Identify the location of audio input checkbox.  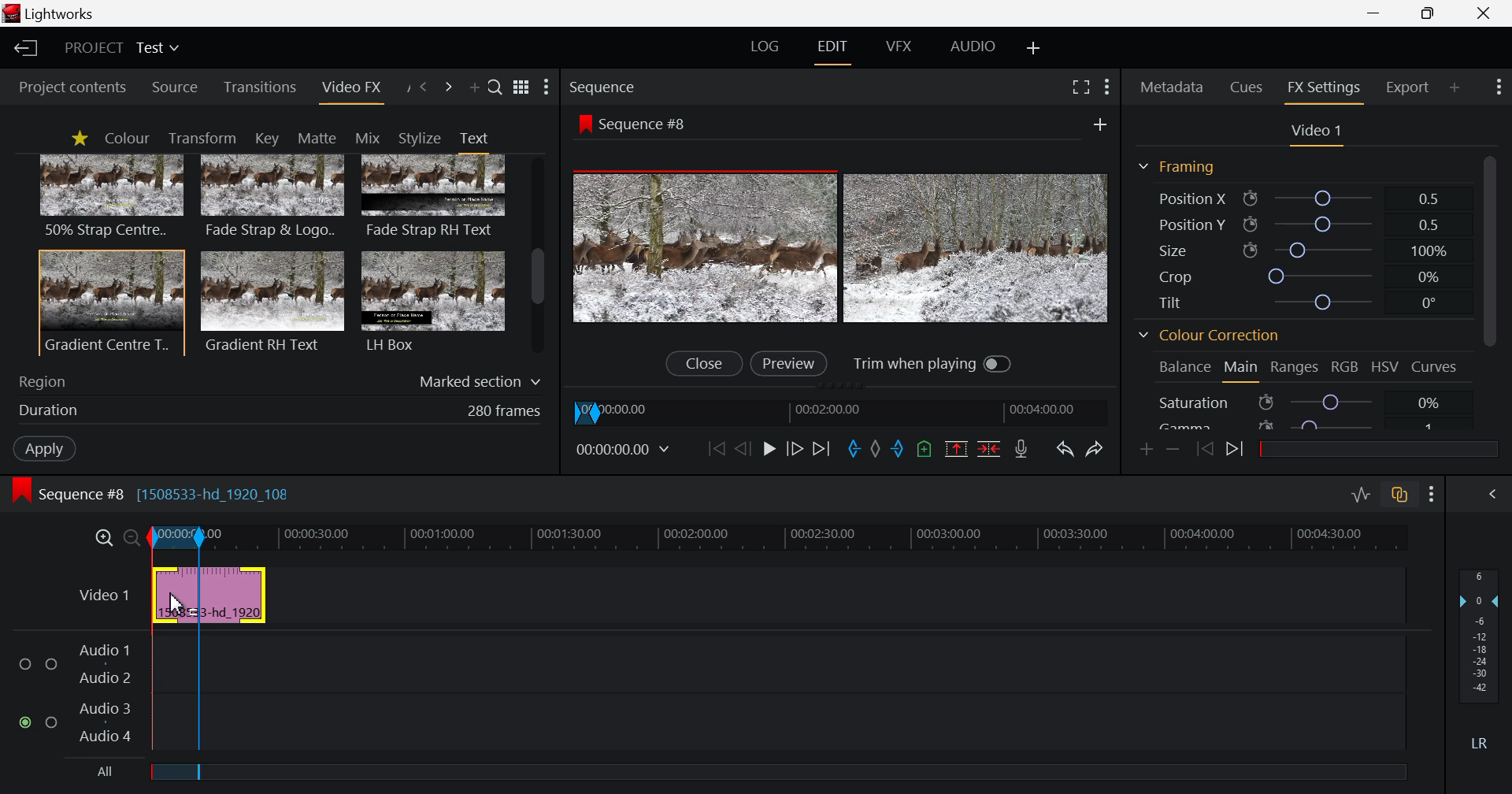
(34, 694).